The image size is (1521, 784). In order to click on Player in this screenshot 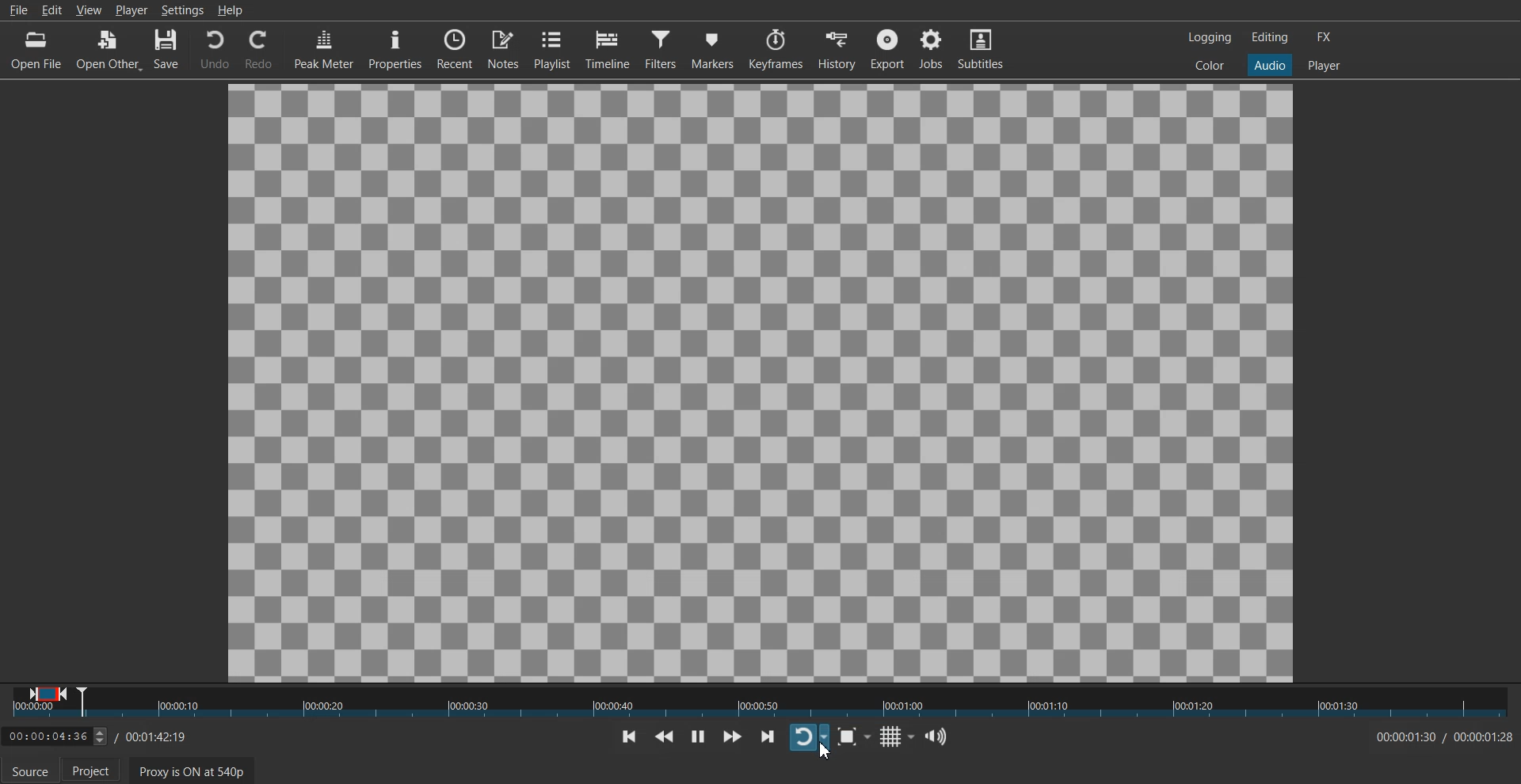, I will do `click(131, 10)`.